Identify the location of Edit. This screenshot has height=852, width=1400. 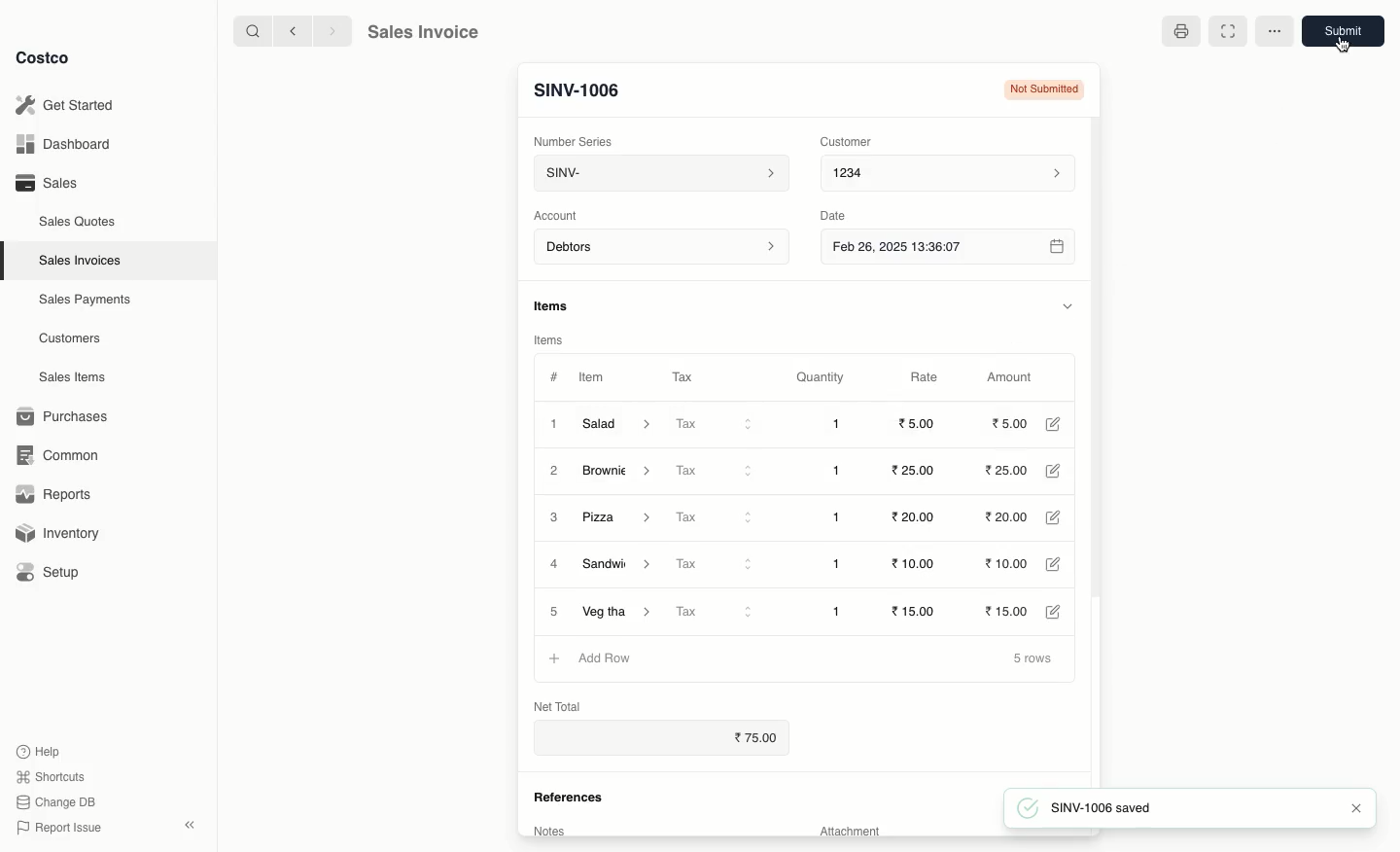
(1053, 612).